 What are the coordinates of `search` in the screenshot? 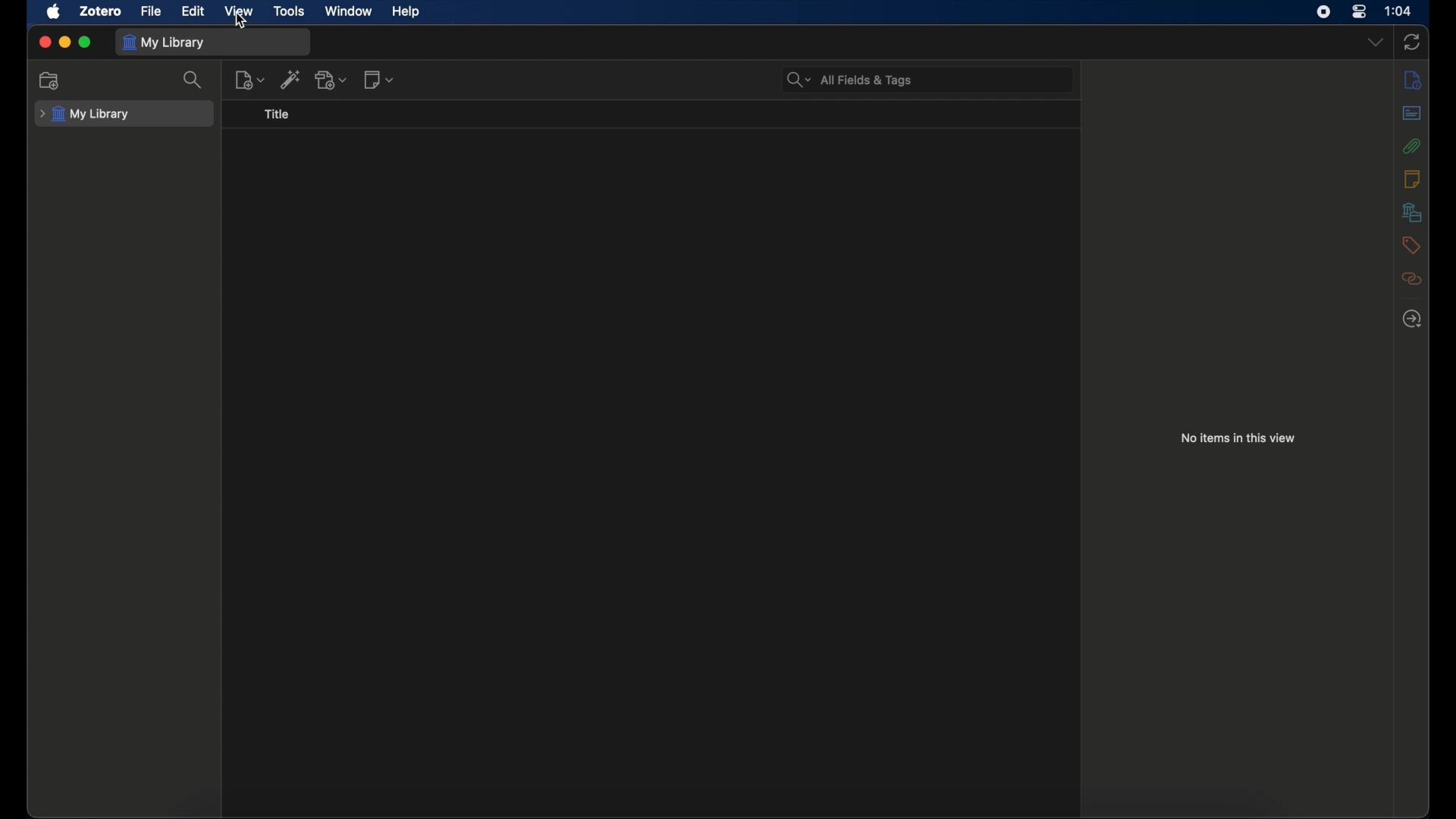 It's located at (193, 80).